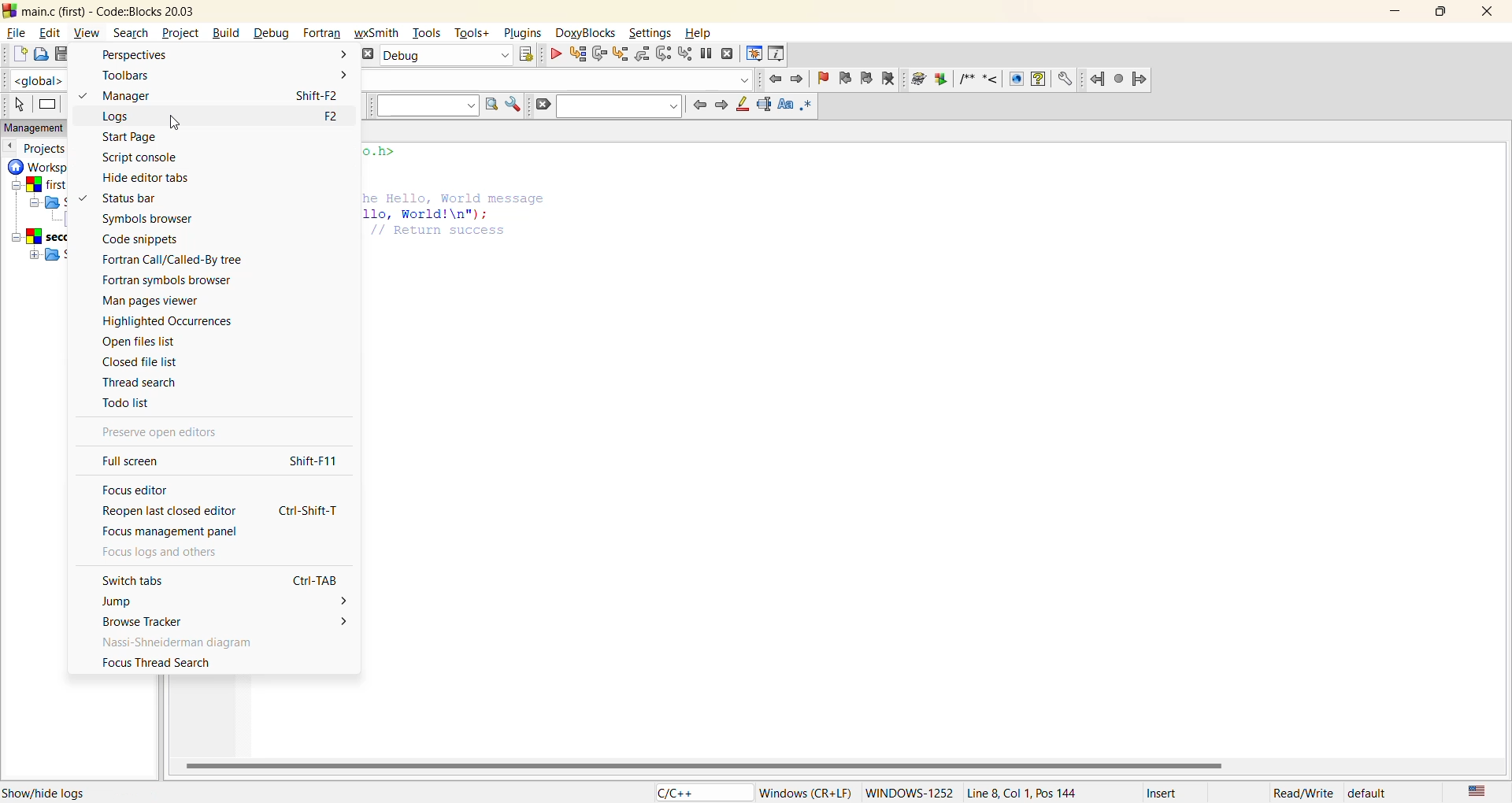 This screenshot has width=1512, height=803. I want to click on new, so click(17, 52).